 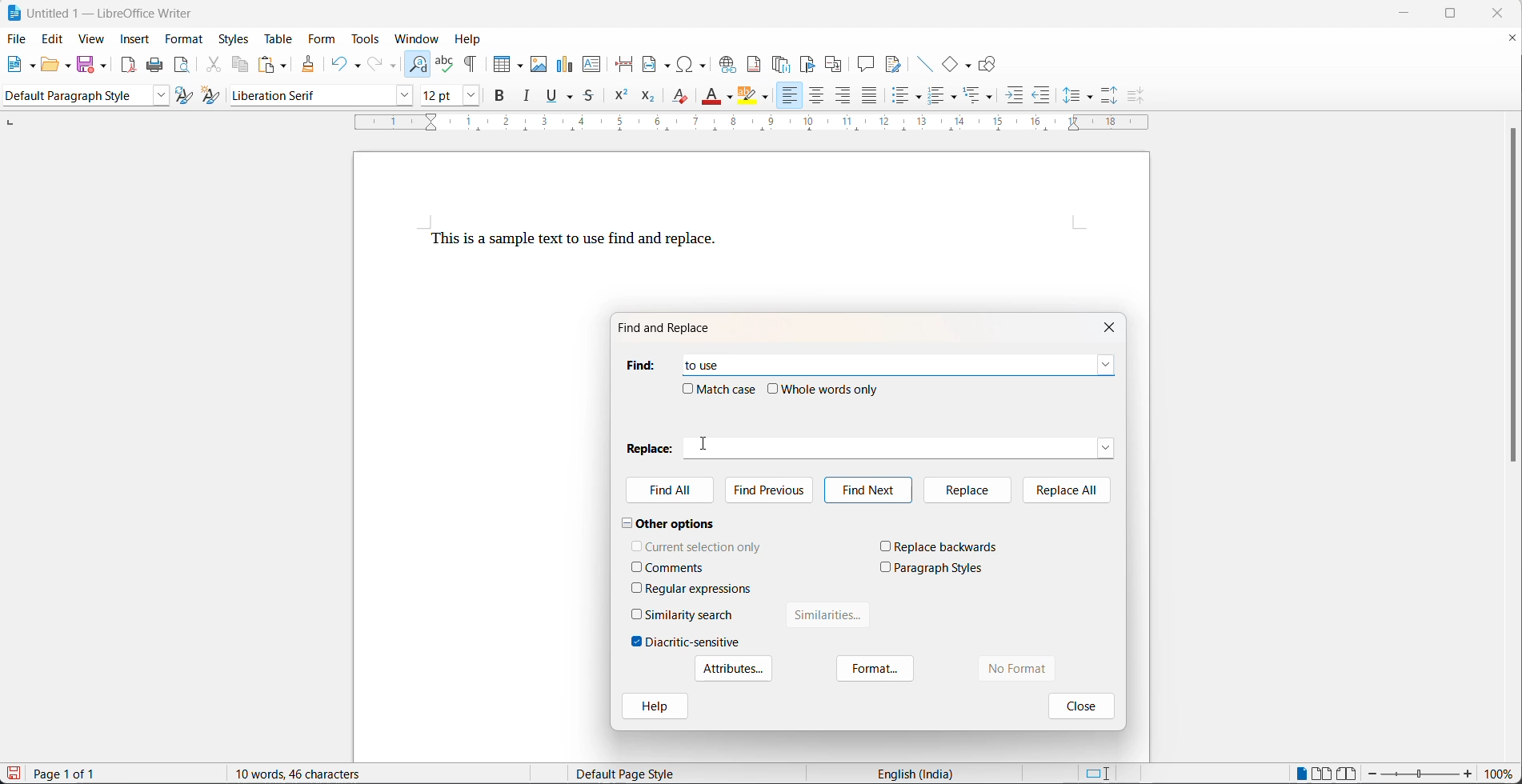 What do you see at coordinates (18, 38) in the screenshot?
I see `file` at bounding box center [18, 38].